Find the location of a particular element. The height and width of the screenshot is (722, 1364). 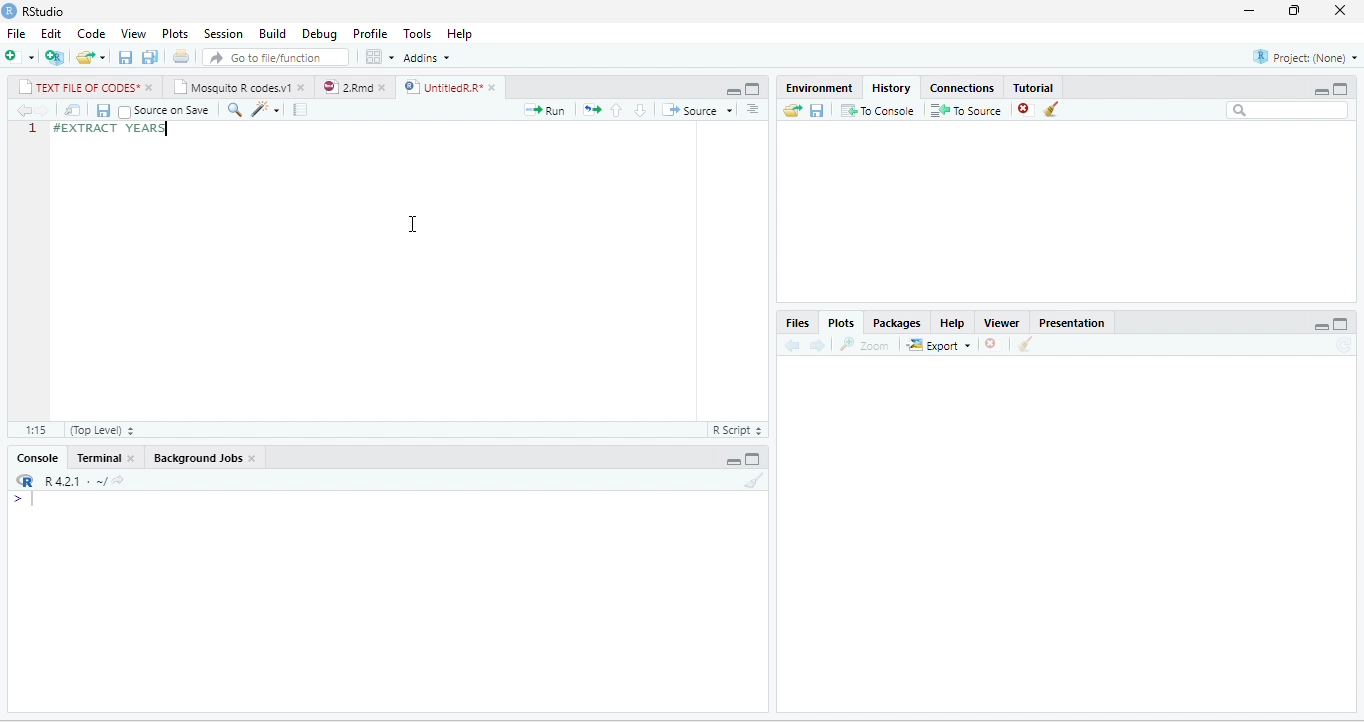

Plots is located at coordinates (841, 322).